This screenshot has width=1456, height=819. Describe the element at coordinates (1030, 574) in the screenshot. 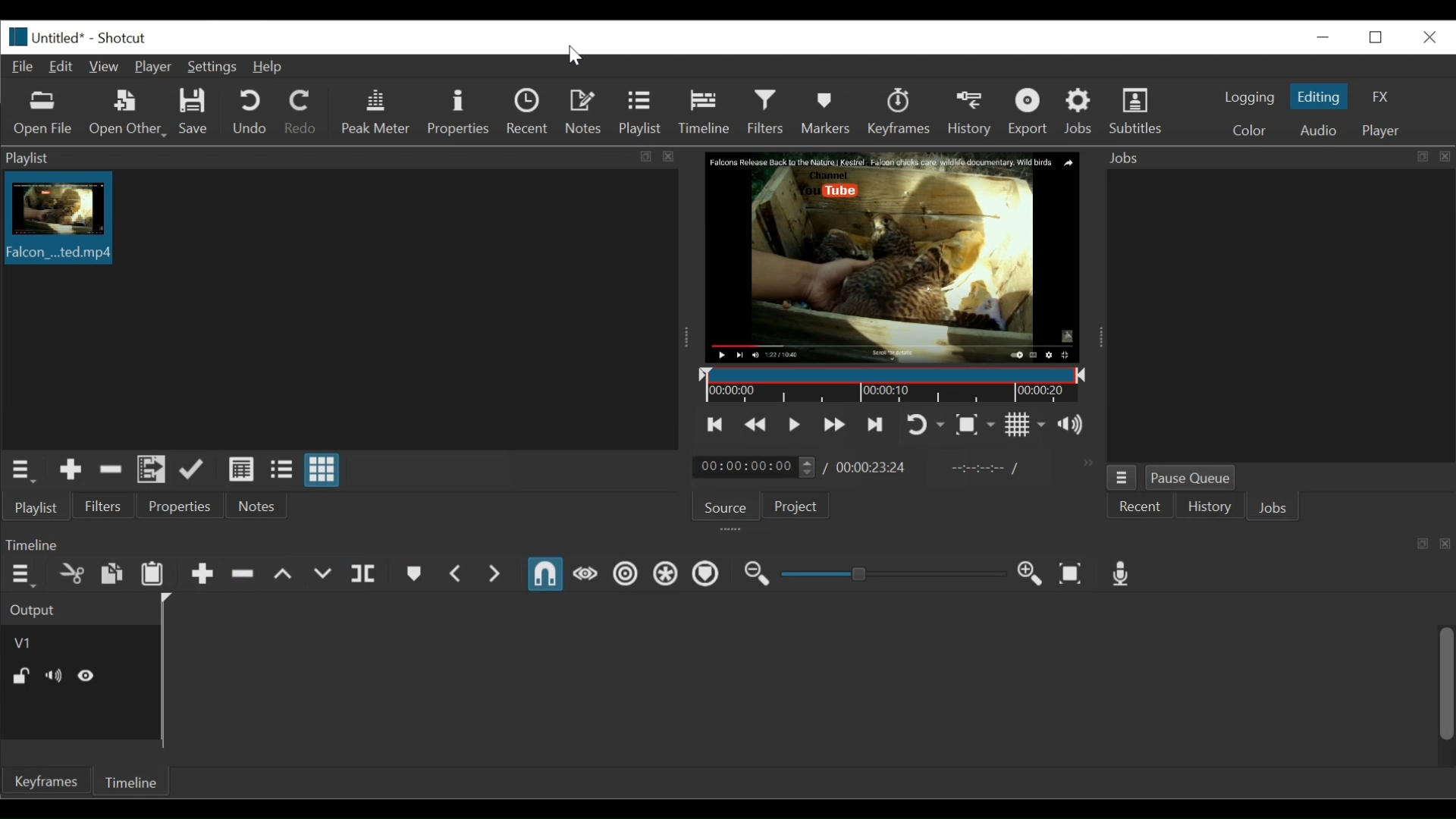

I see `Zoom timeline in` at that location.